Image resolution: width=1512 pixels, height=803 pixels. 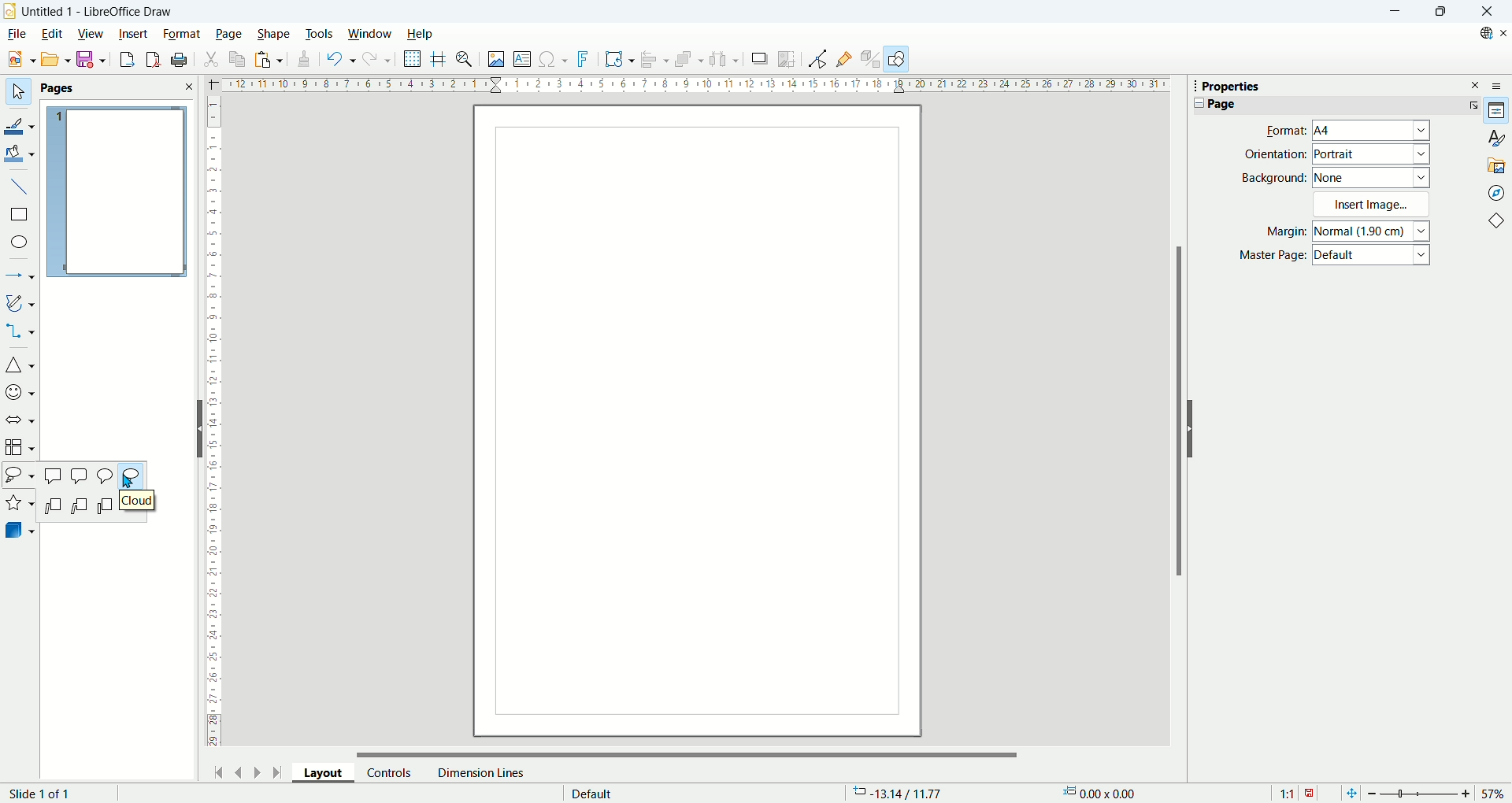 I want to click on page, so click(x=229, y=35).